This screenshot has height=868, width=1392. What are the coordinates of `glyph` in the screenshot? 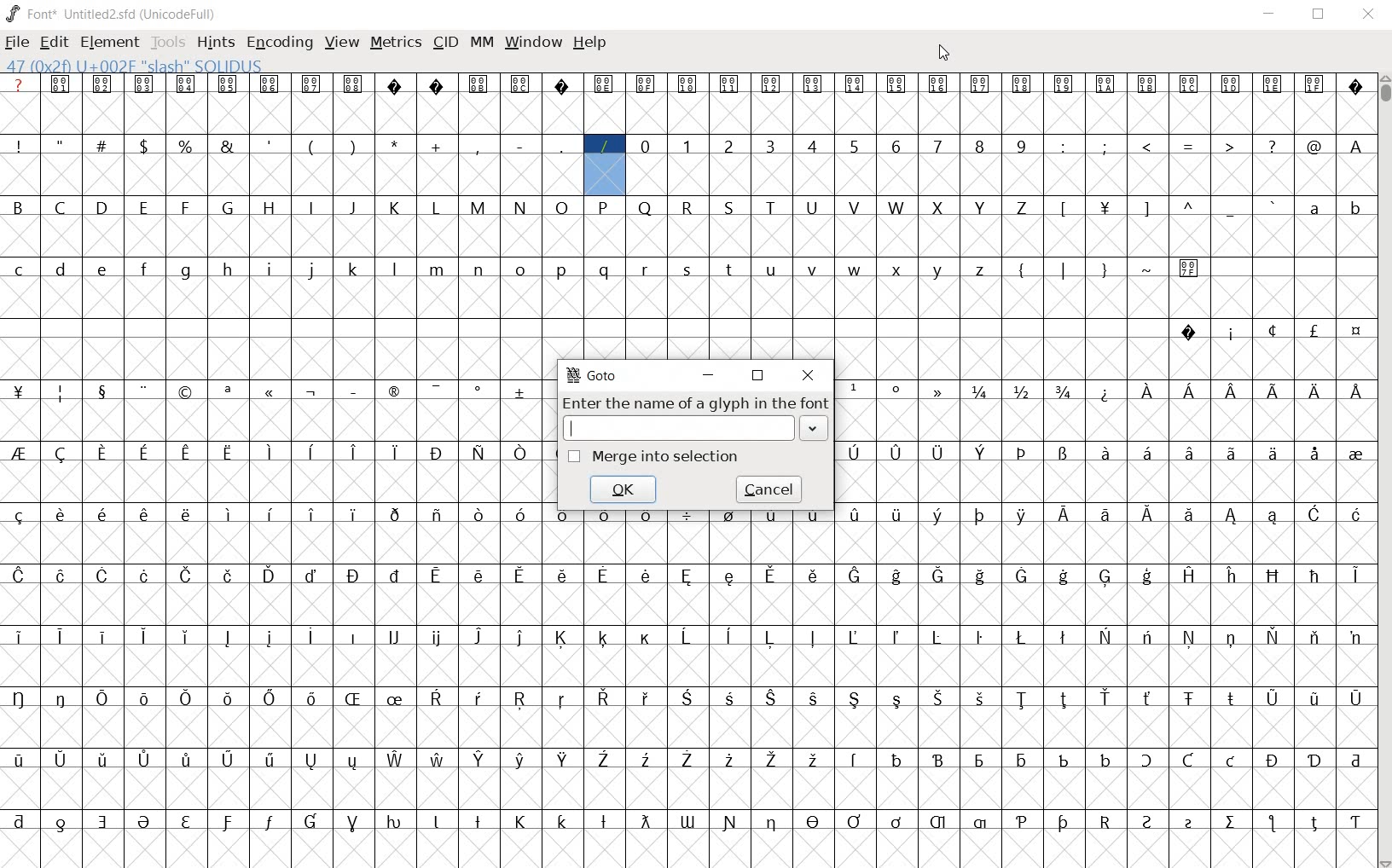 It's located at (938, 85).